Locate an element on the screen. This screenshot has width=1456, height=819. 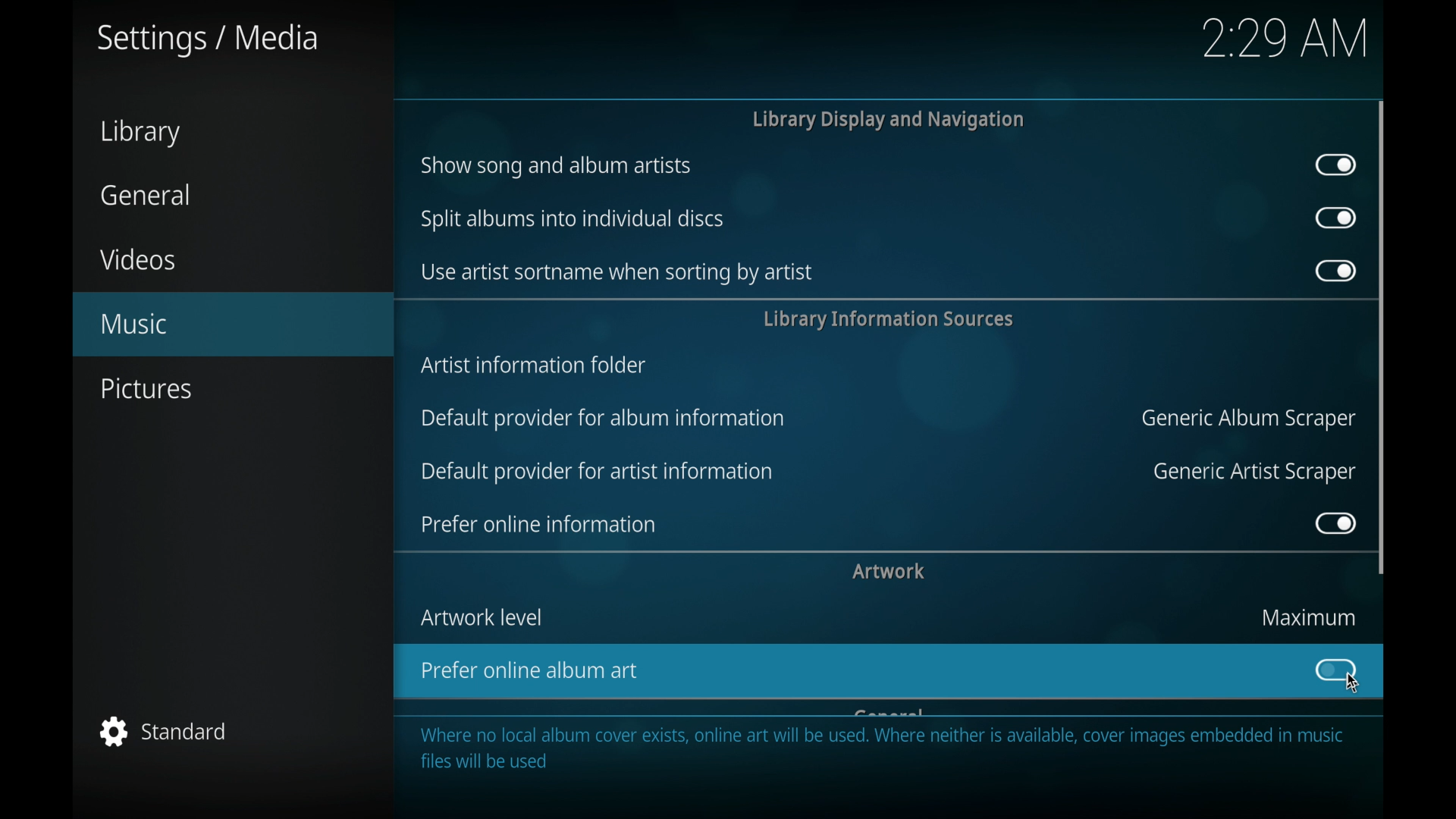
pictures is located at coordinates (145, 388).